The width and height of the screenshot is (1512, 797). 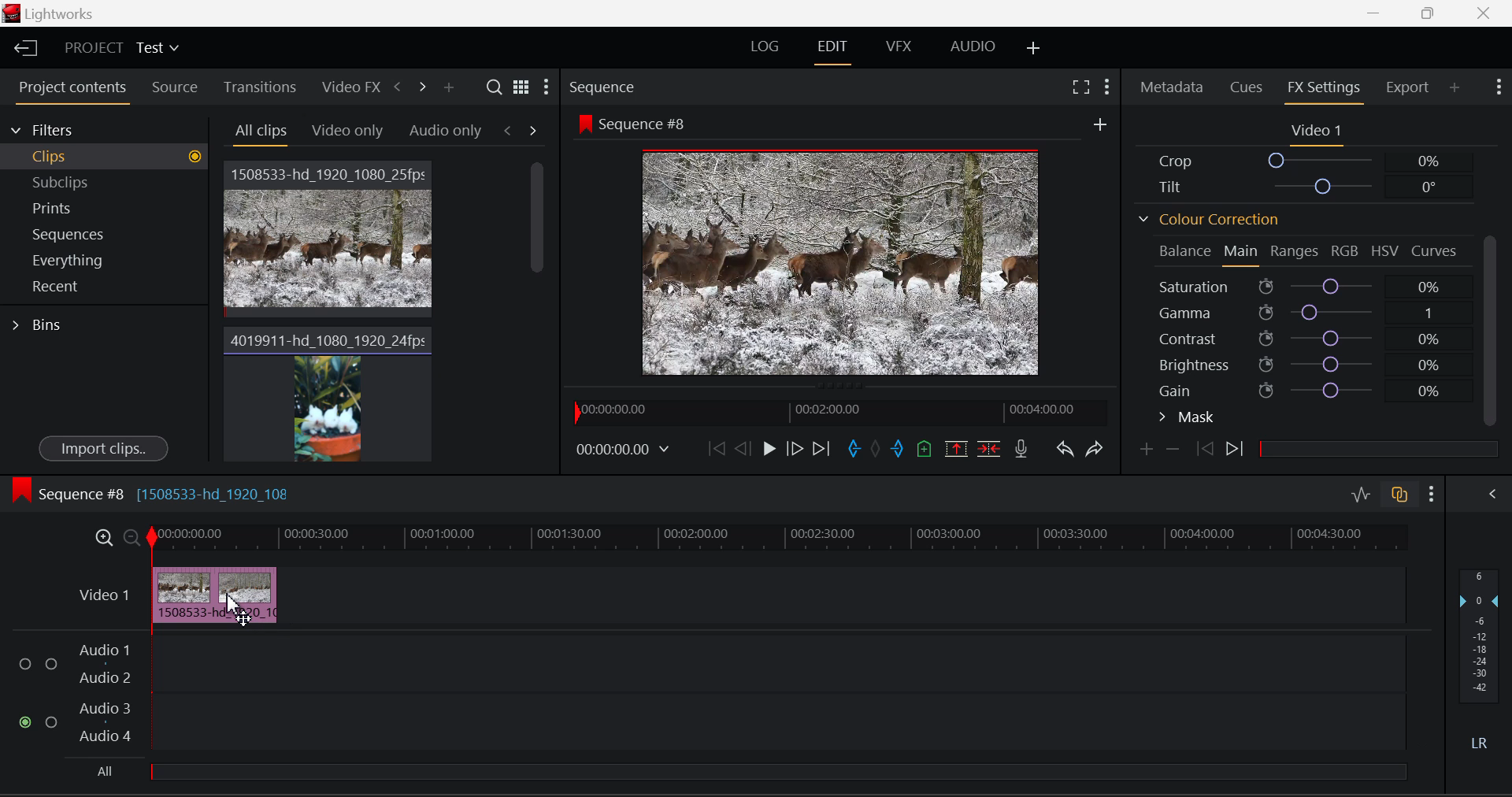 What do you see at coordinates (1063, 451) in the screenshot?
I see `Undo` at bounding box center [1063, 451].